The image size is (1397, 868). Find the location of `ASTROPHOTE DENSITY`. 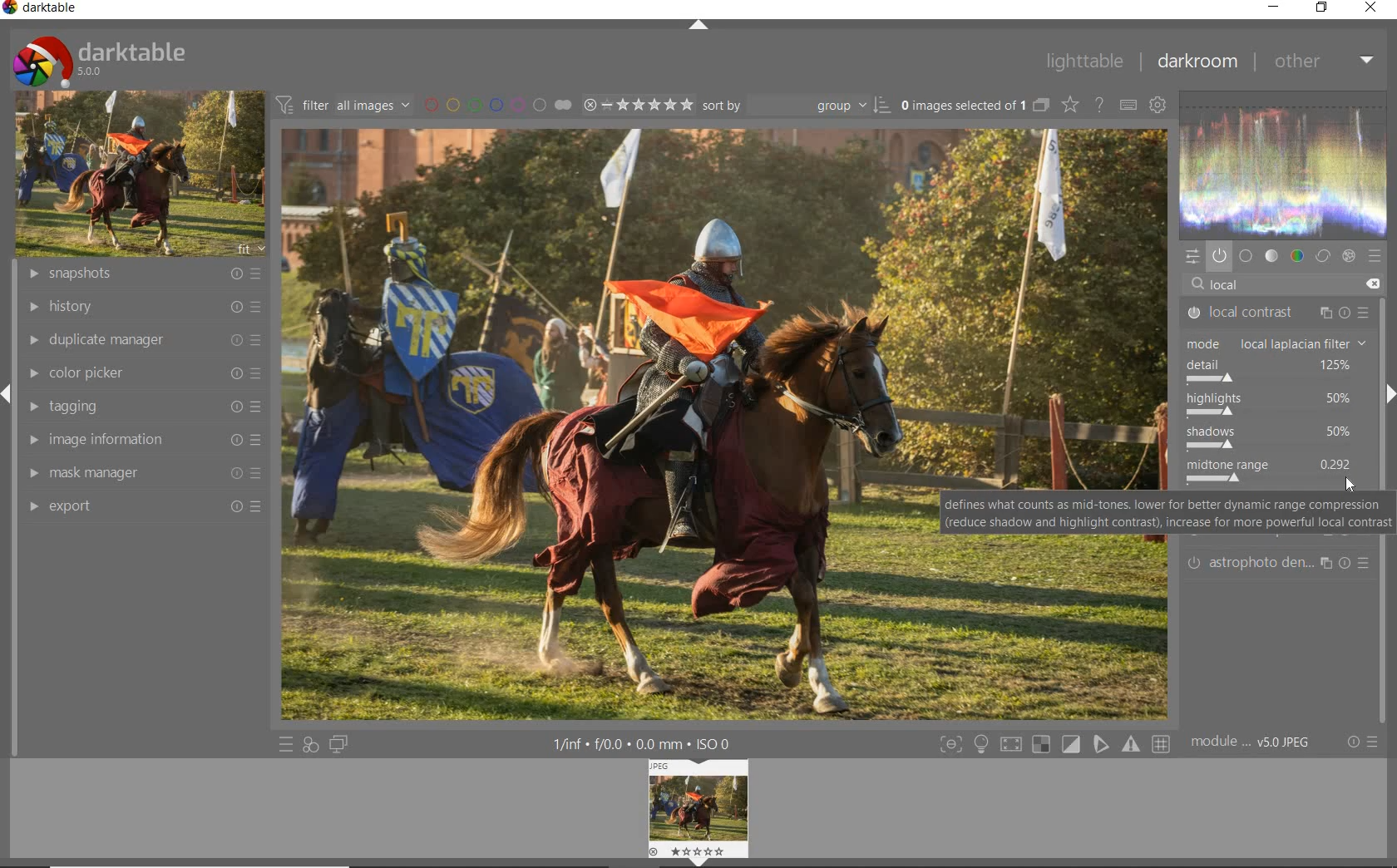

ASTROPHOTE DENSITY is located at coordinates (1281, 562).